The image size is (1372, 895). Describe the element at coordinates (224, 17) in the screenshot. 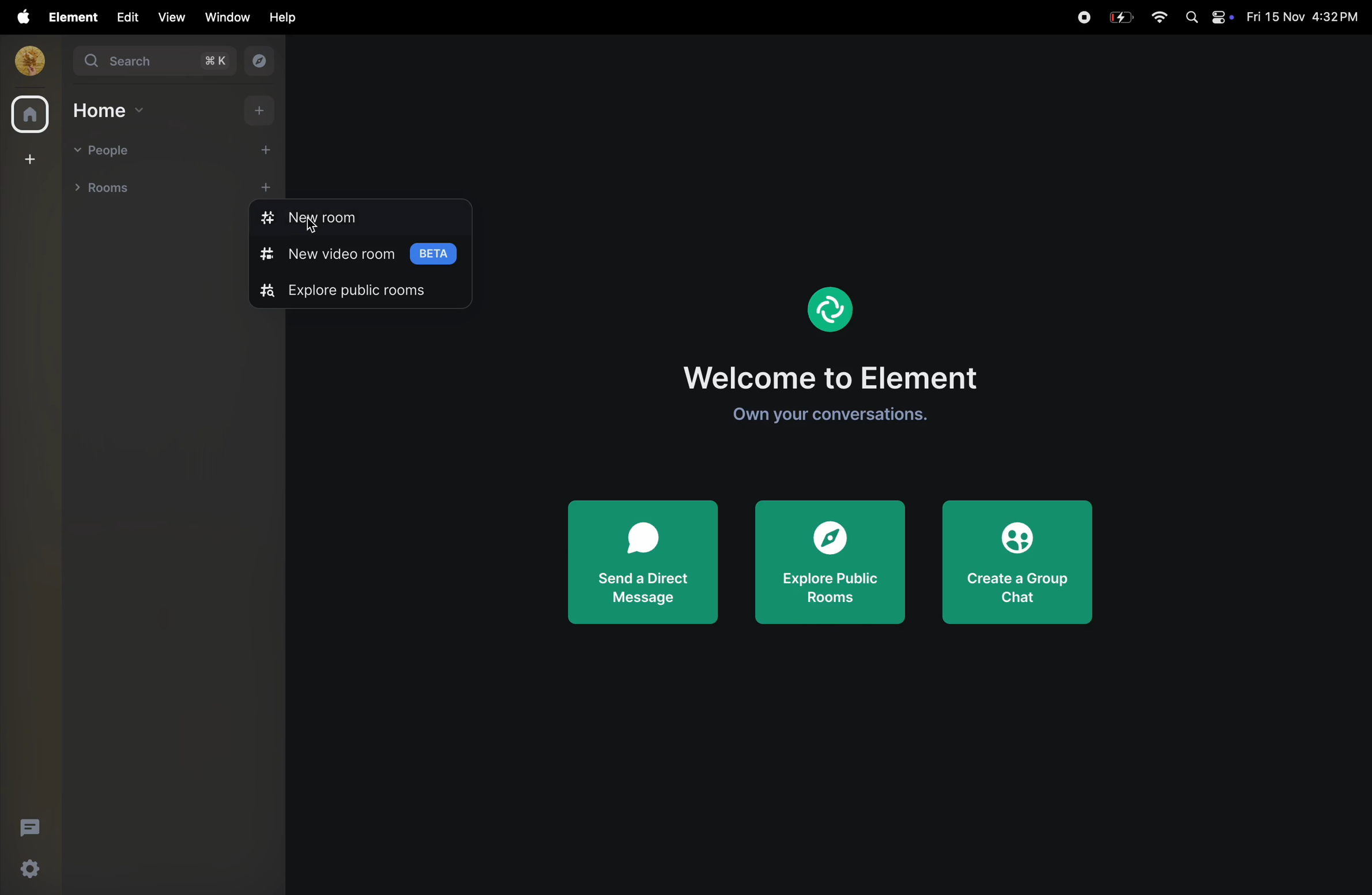

I see `window` at that location.